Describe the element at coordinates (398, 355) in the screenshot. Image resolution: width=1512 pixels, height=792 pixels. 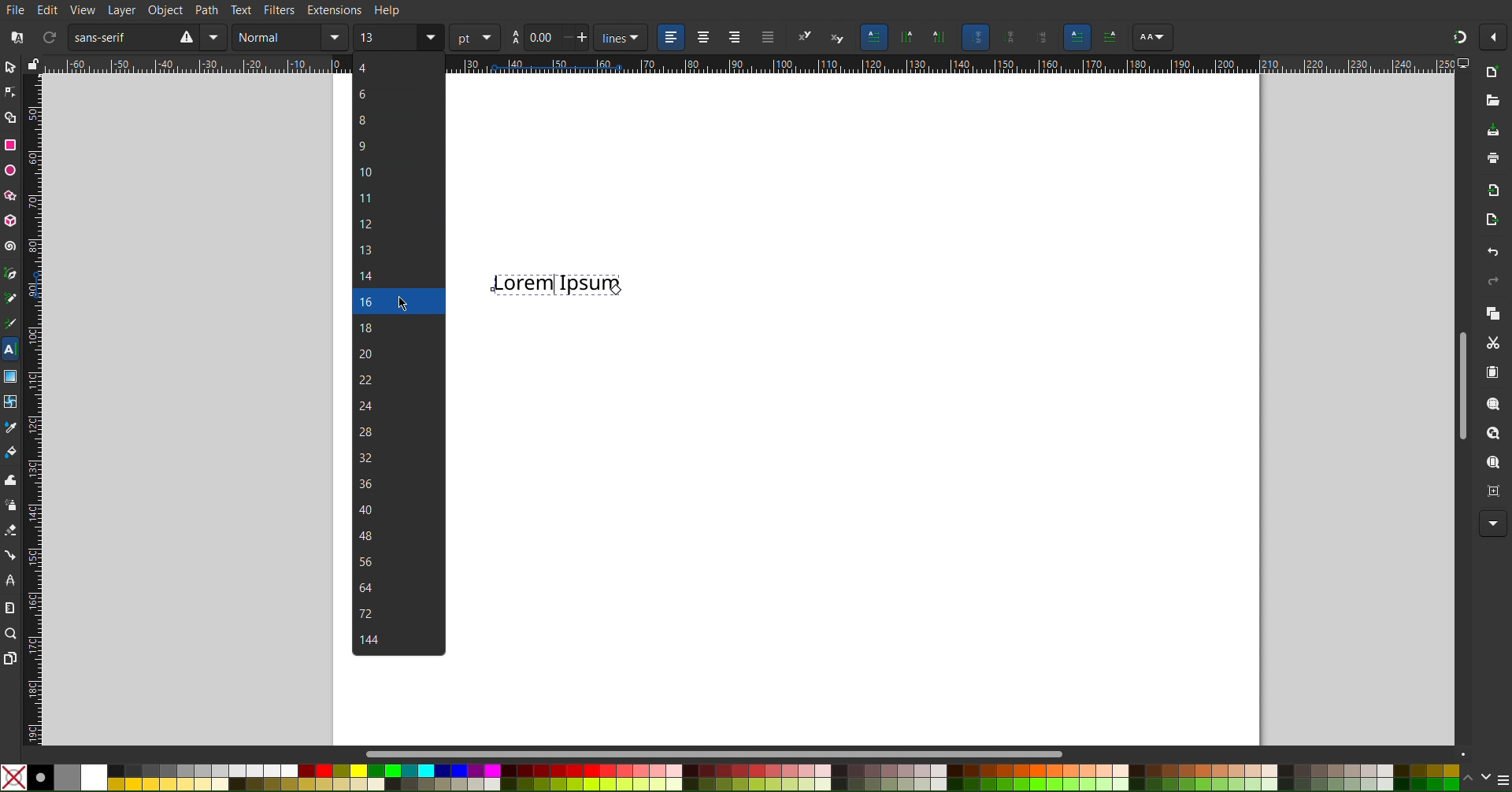
I see `Font sizes` at that location.